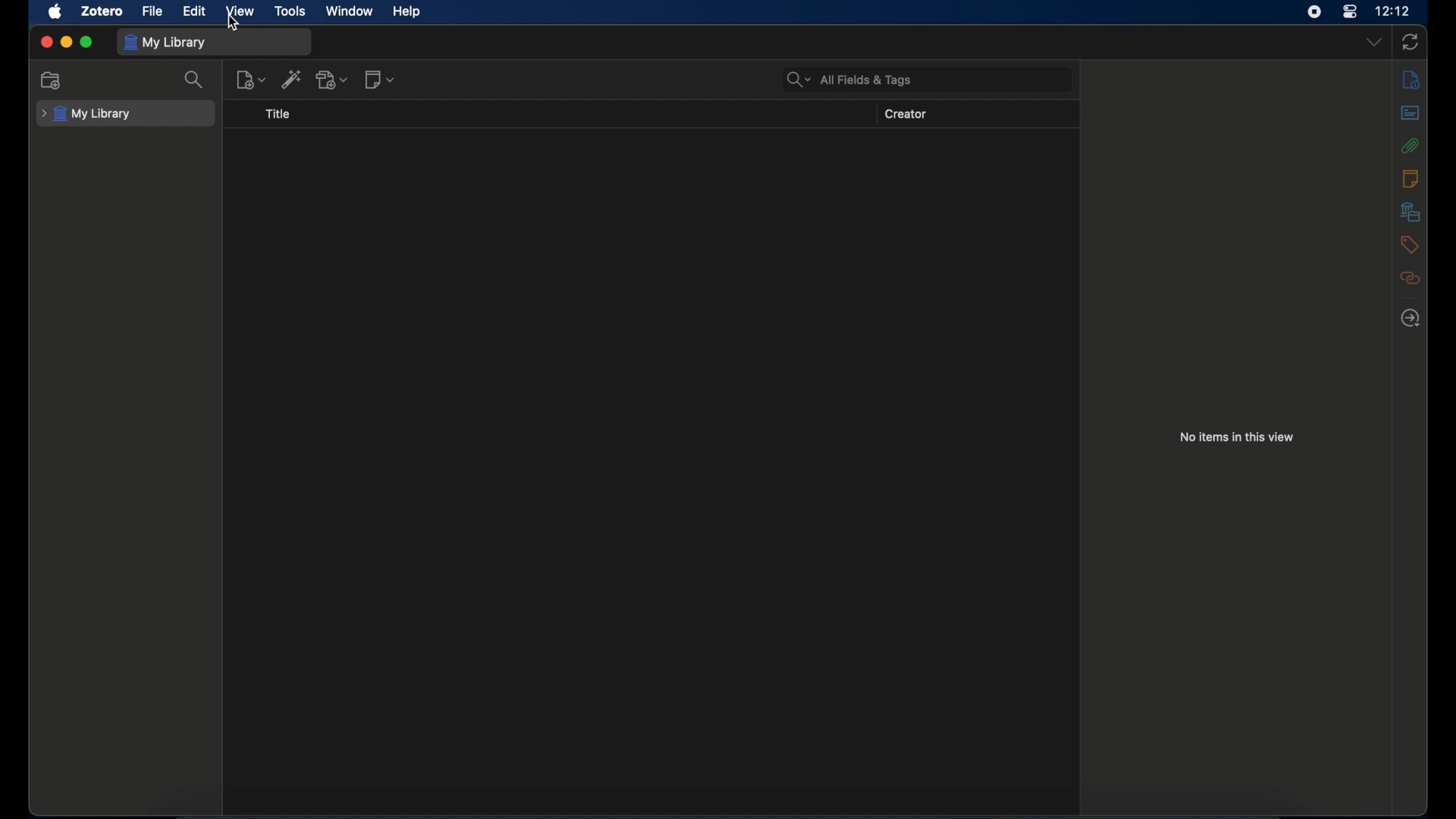 The height and width of the screenshot is (819, 1456). Describe the element at coordinates (1411, 81) in the screenshot. I see `info` at that location.